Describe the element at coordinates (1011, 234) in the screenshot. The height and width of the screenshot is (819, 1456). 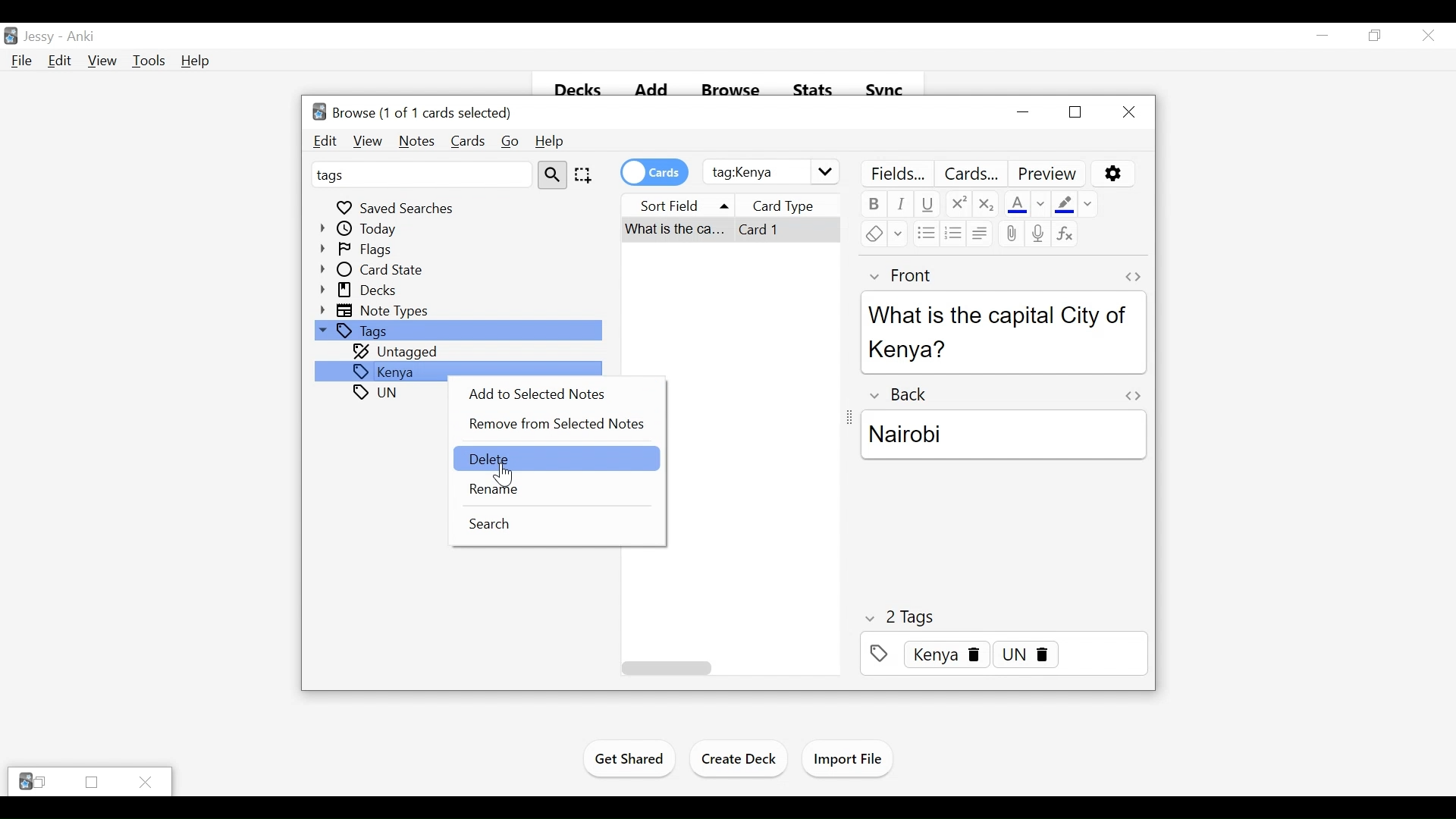
I see `Attach pictures/audio/files` at that location.